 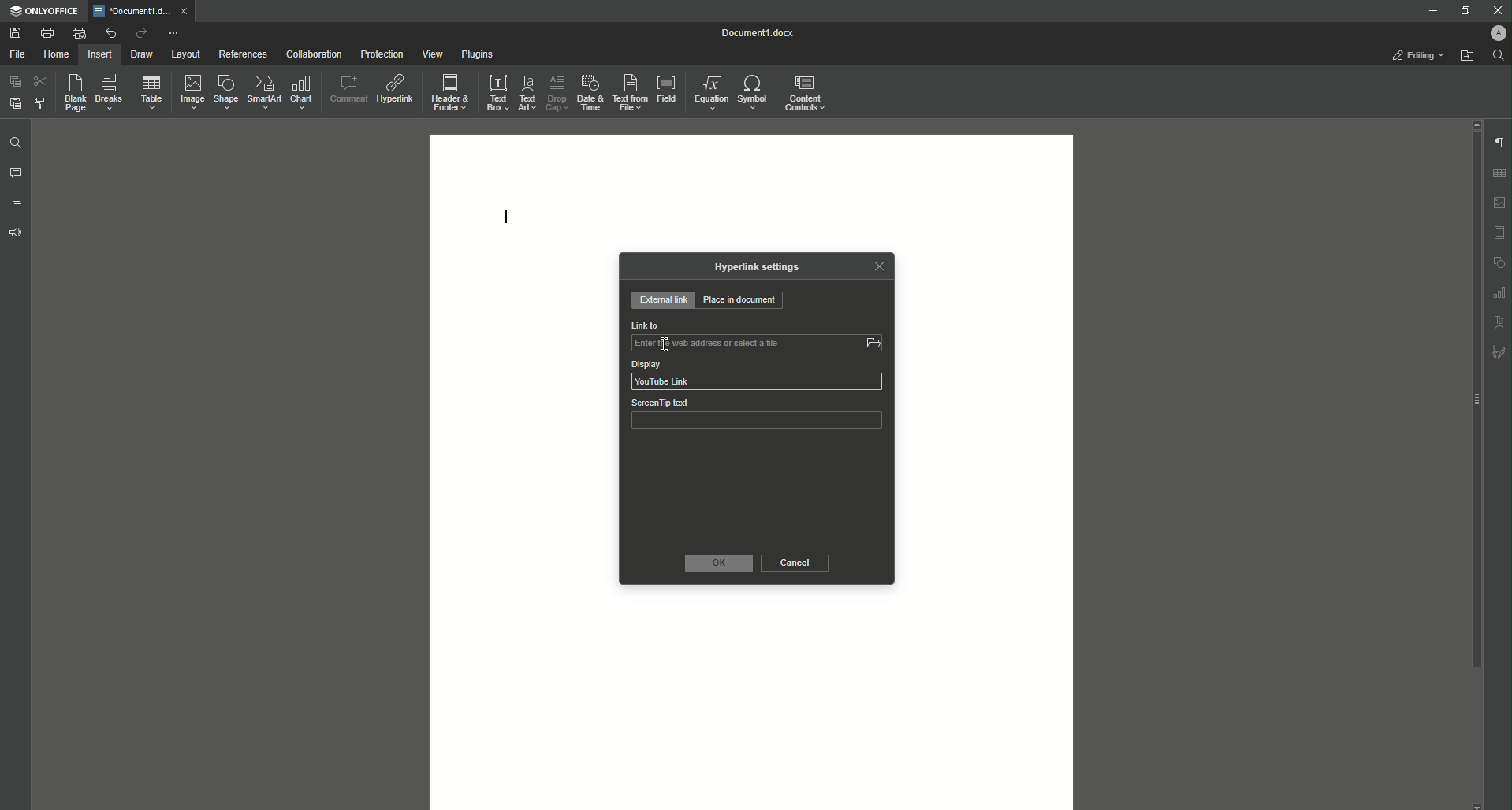 What do you see at coordinates (1500, 203) in the screenshot?
I see `Imgae settings` at bounding box center [1500, 203].